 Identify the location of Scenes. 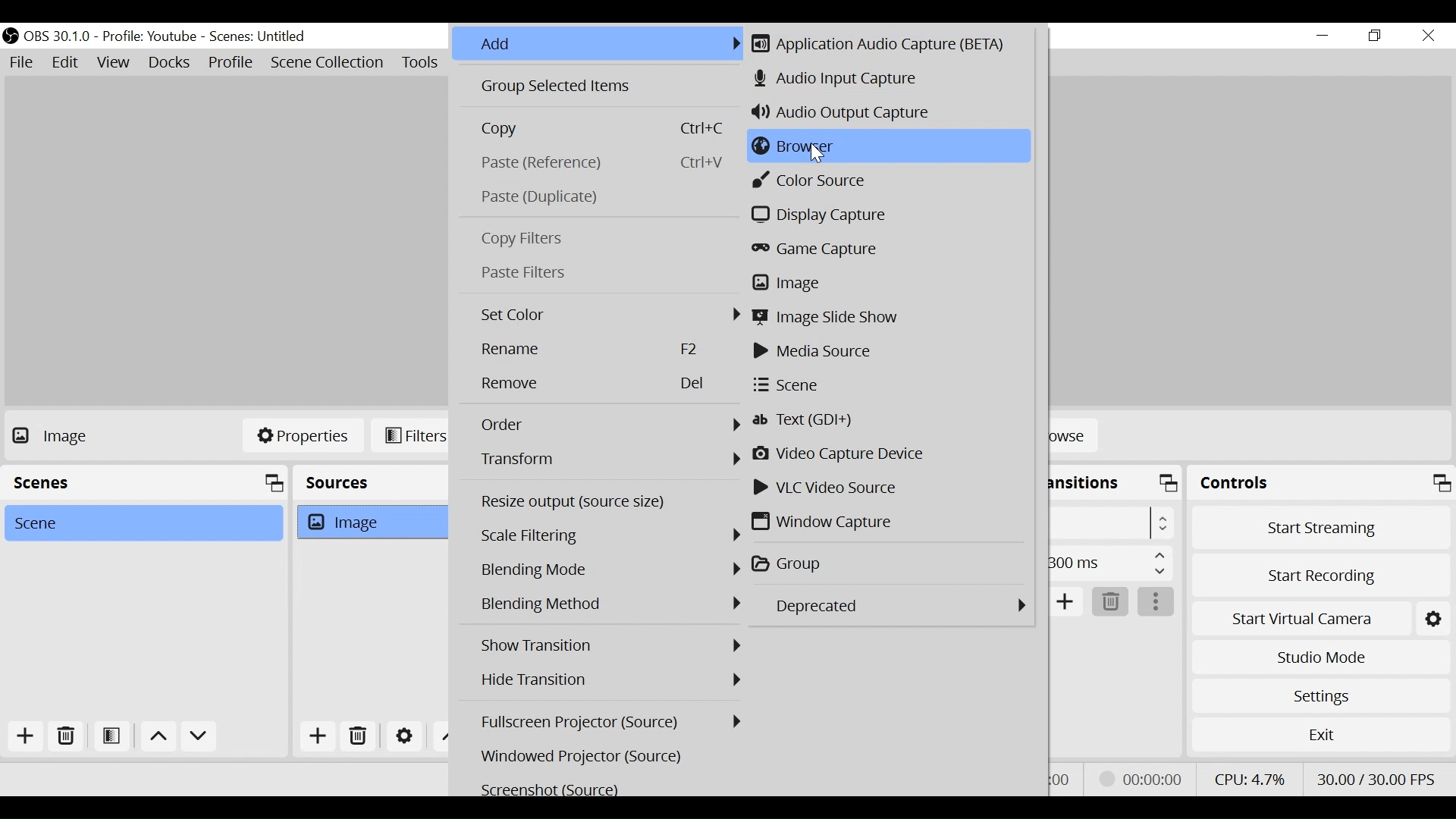
(146, 484).